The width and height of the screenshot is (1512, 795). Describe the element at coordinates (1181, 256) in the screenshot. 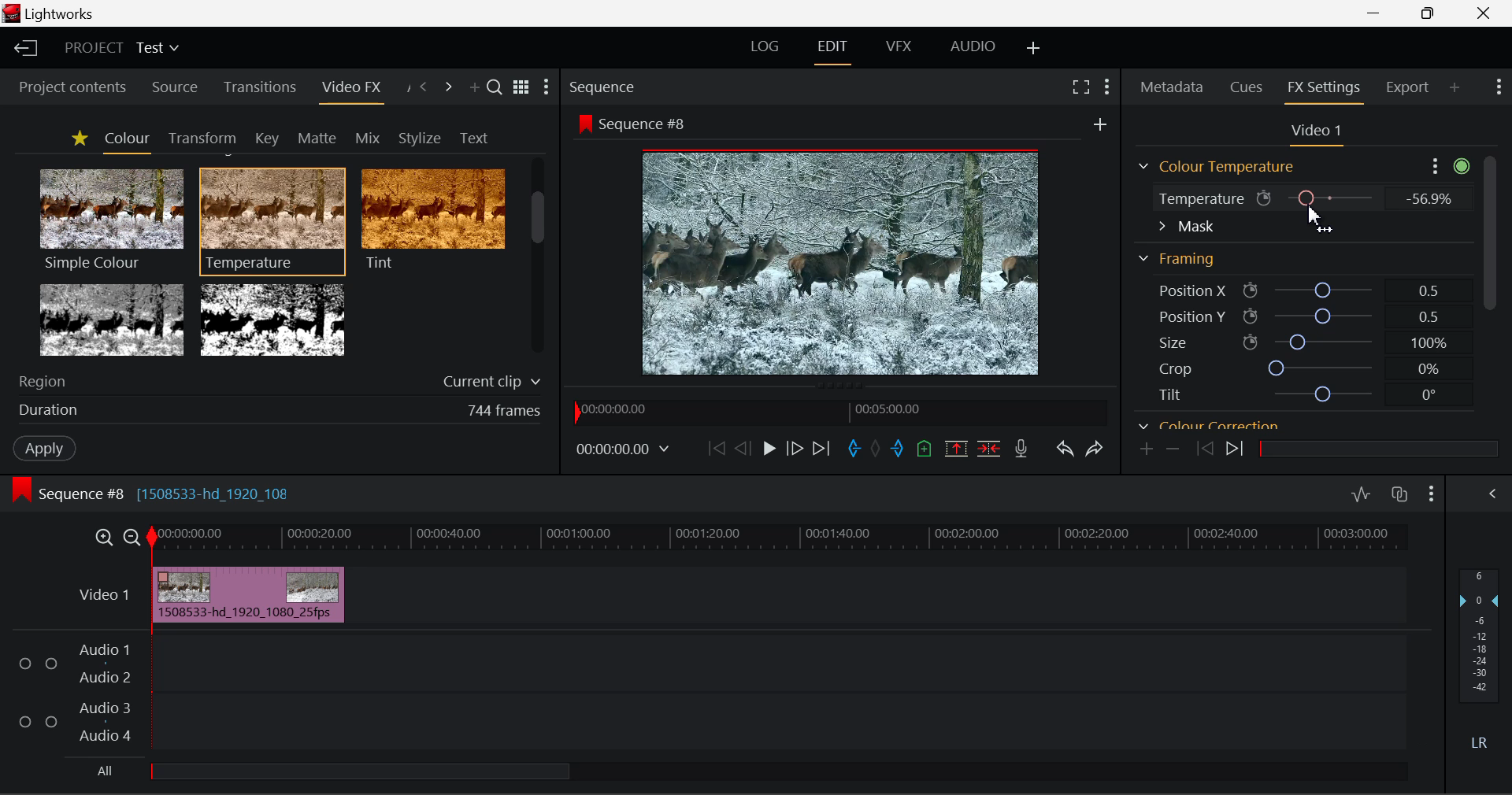

I see `Framing Section` at that location.